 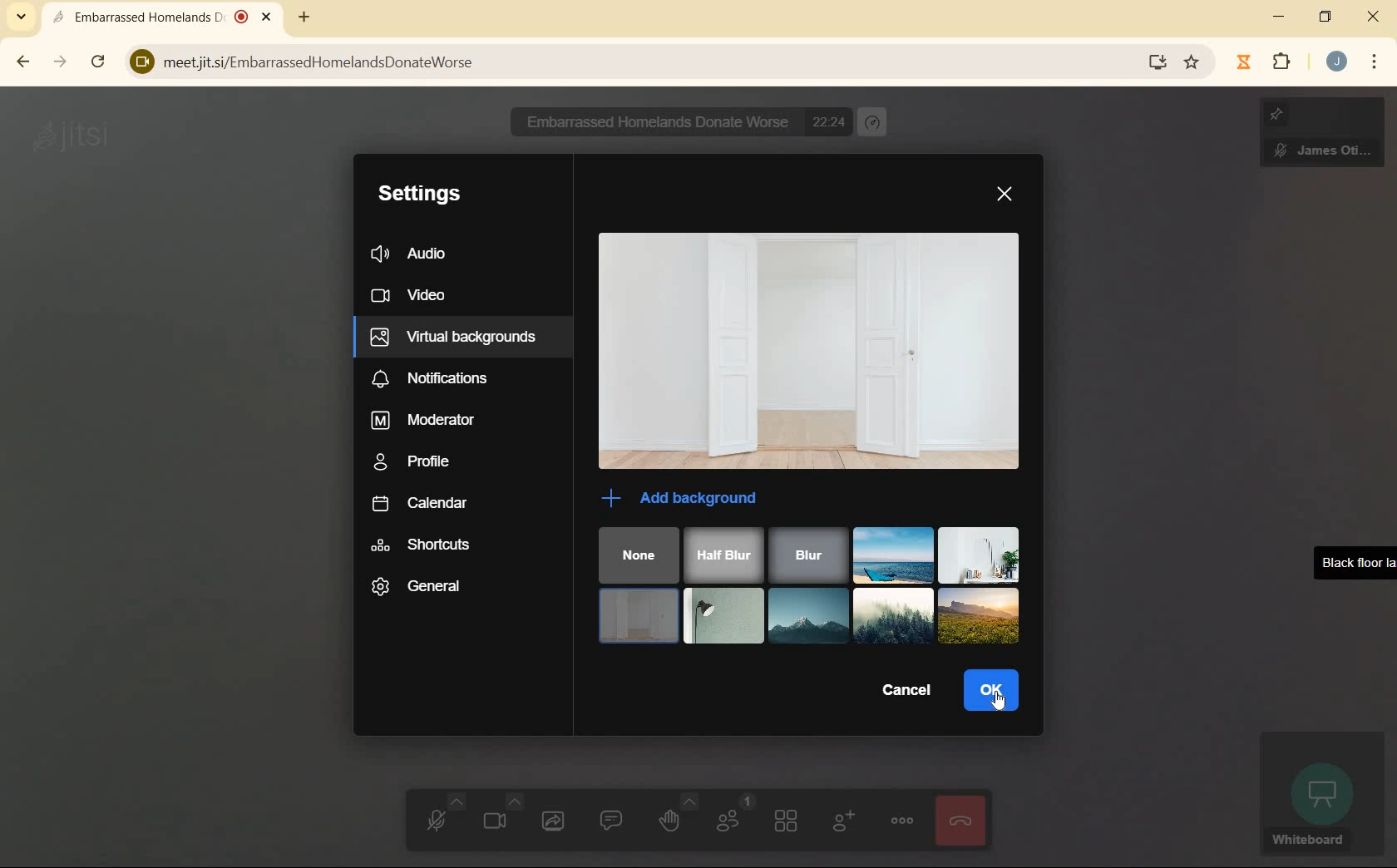 What do you see at coordinates (806, 615) in the screenshot?
I see `mountain` at bounding box center [806, 615].